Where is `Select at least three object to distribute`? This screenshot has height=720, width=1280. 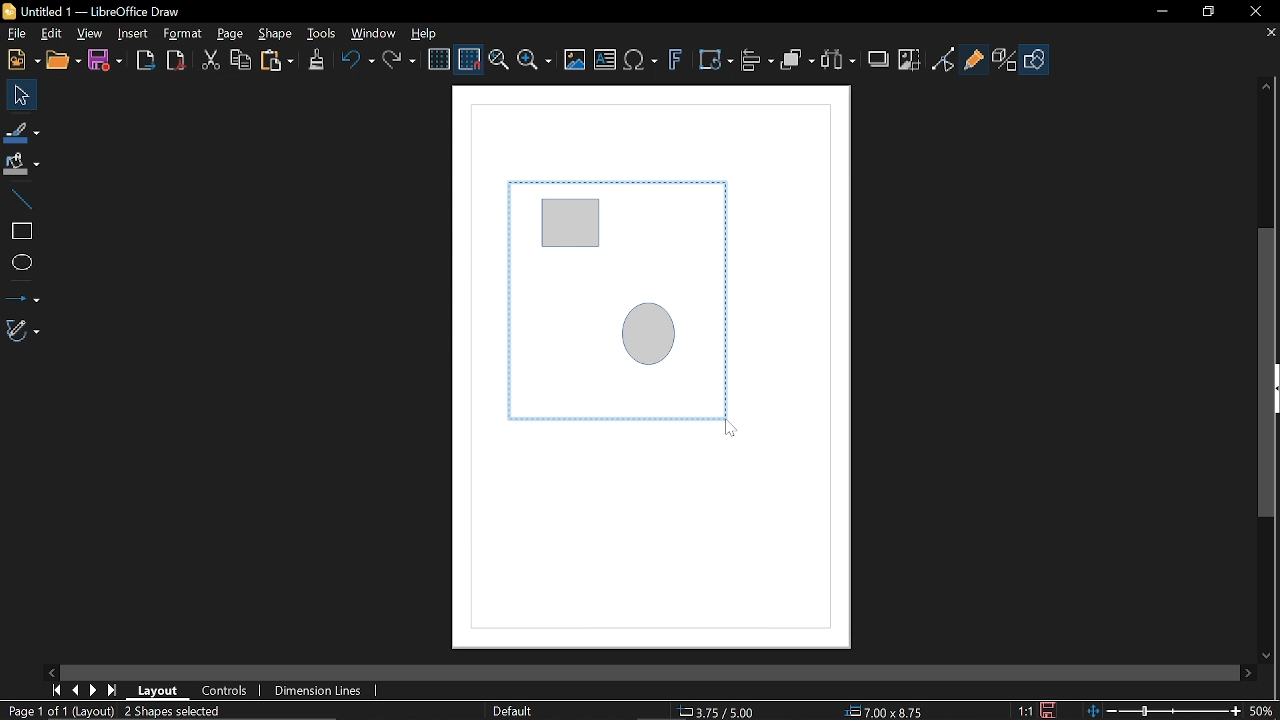
Select at least three object to distribute is located at coordinates (839, 62).